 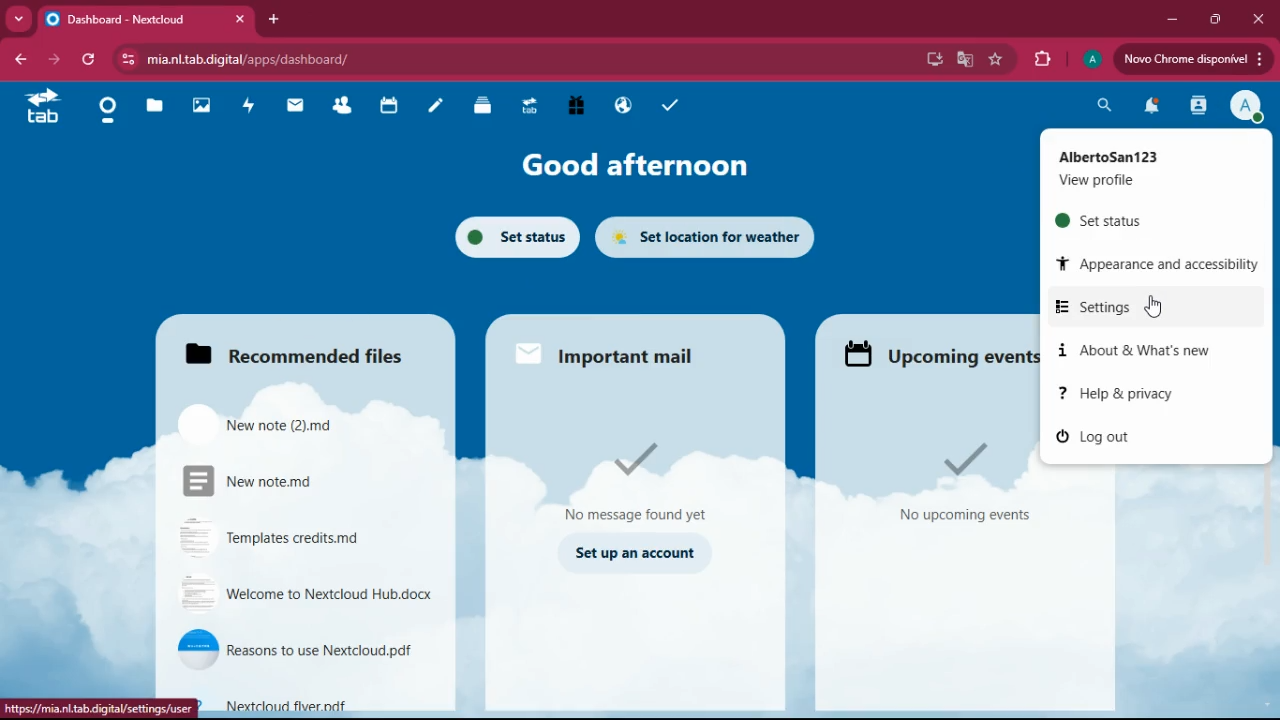 I want to click on activity, so click(x=1195, y=106).